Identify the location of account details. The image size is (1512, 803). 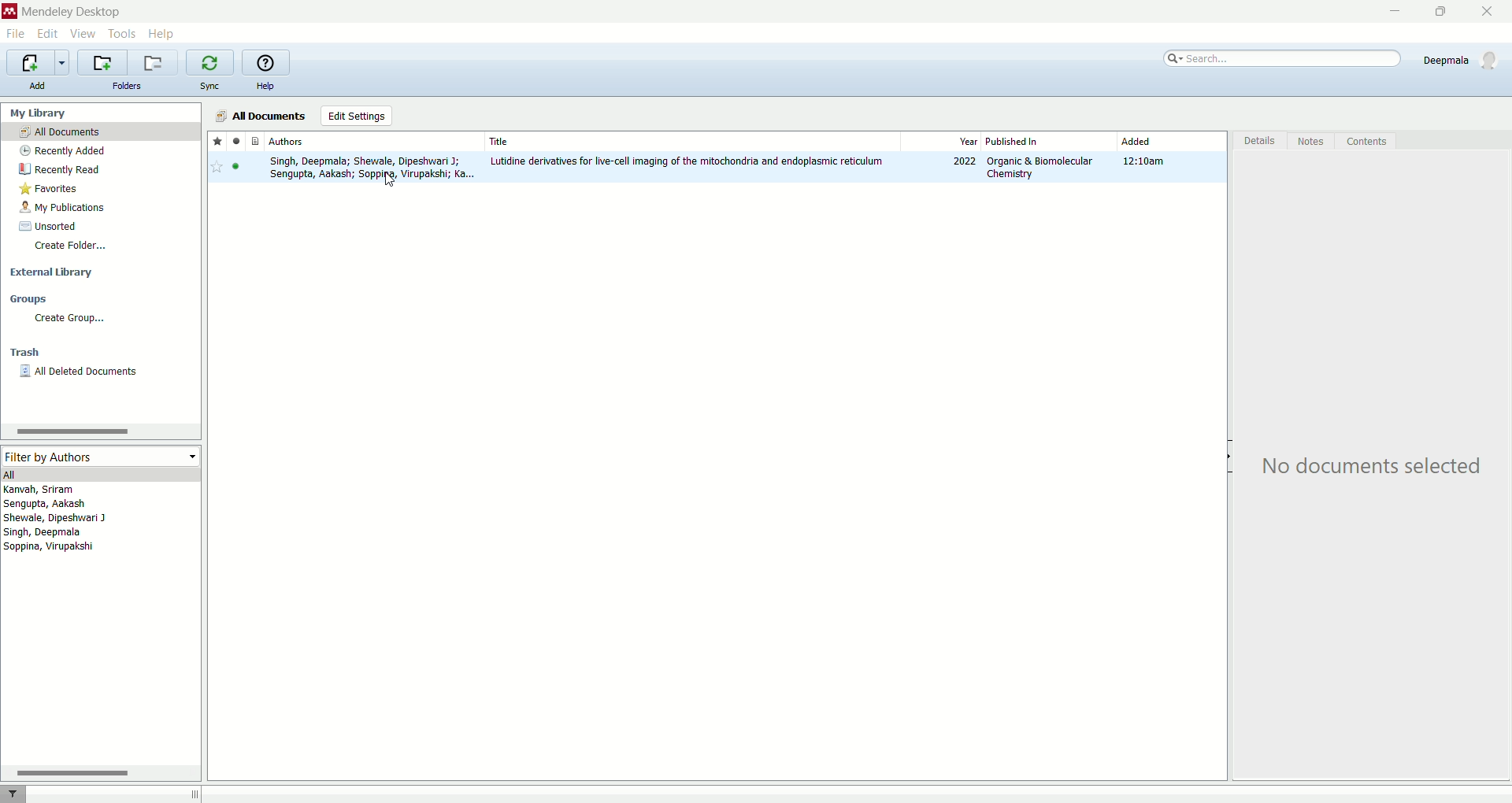
(1459, 58).